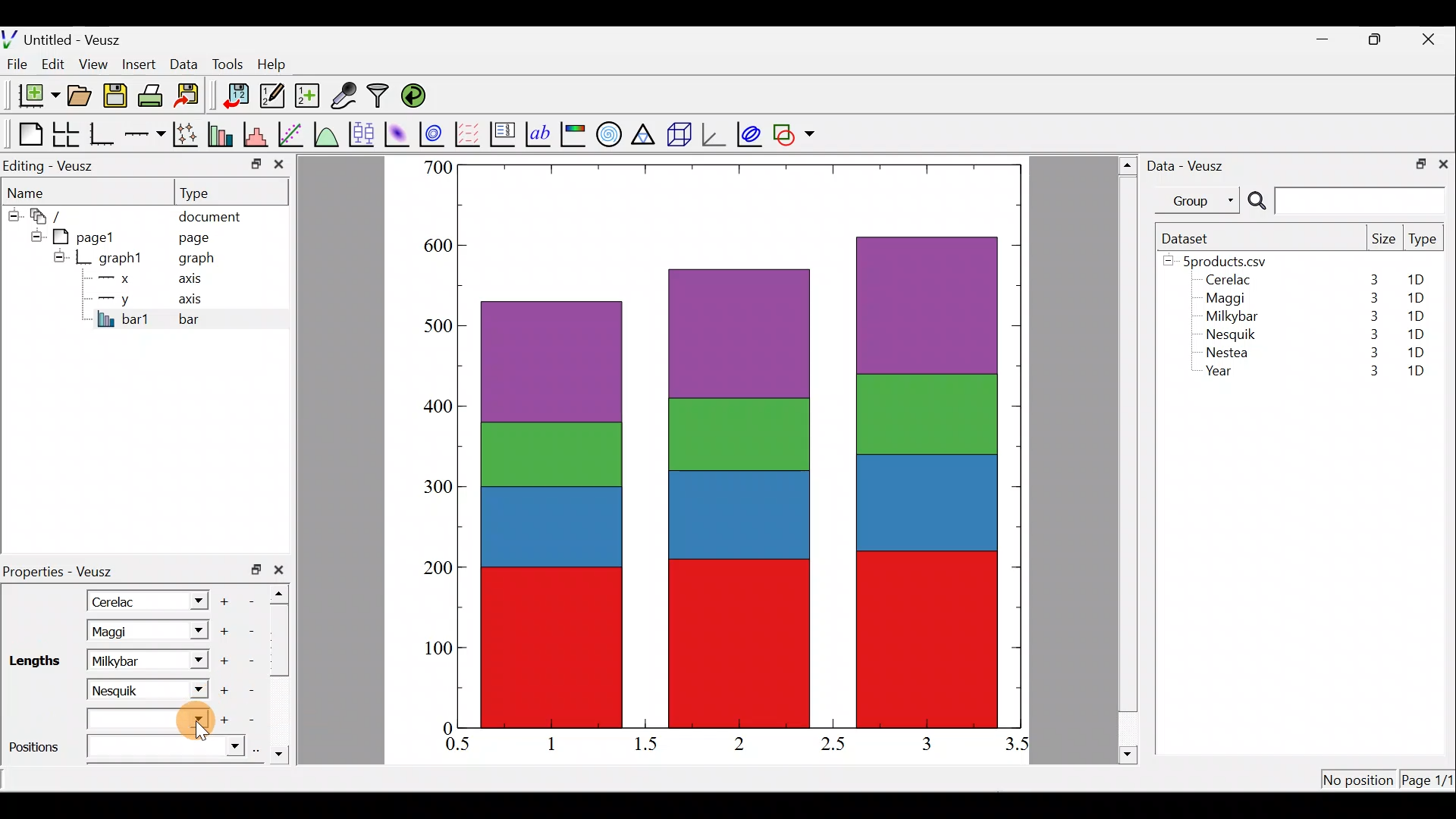  I want to click on close, so click(1443, 163).